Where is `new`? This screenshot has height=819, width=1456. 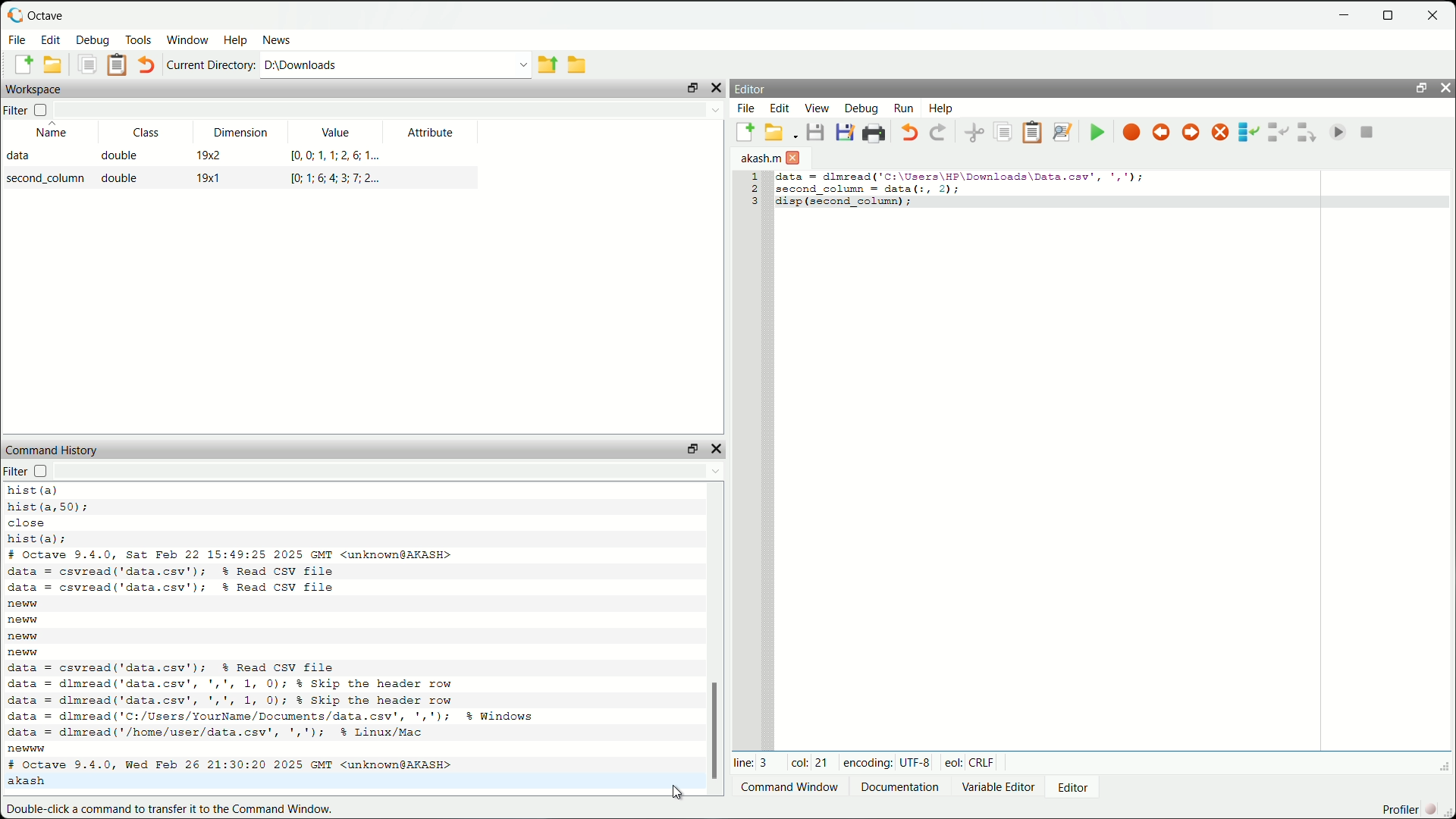
new is located at coordinates (35, 748).